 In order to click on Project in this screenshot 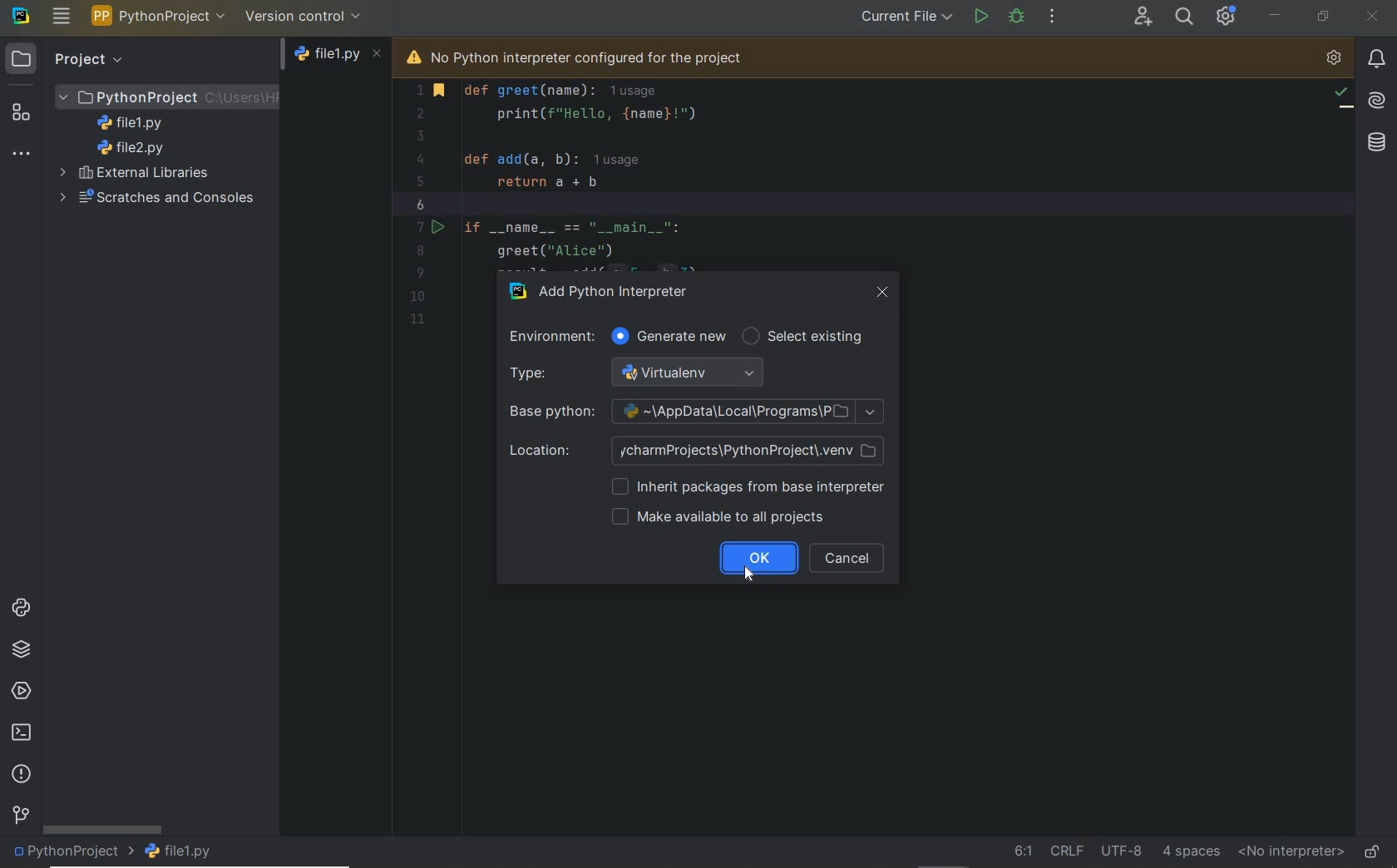, I will do `click(68, 58)`.